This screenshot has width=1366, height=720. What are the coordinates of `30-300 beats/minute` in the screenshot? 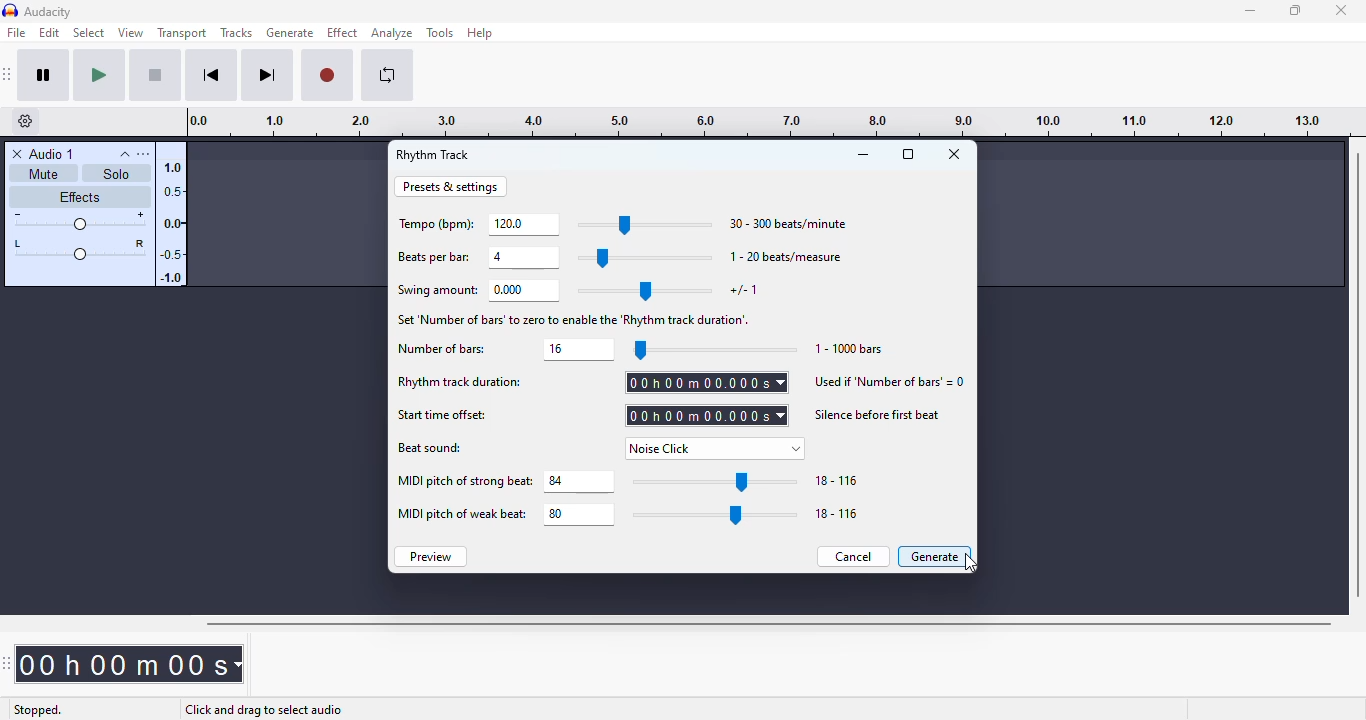 It's located at (786, 223).